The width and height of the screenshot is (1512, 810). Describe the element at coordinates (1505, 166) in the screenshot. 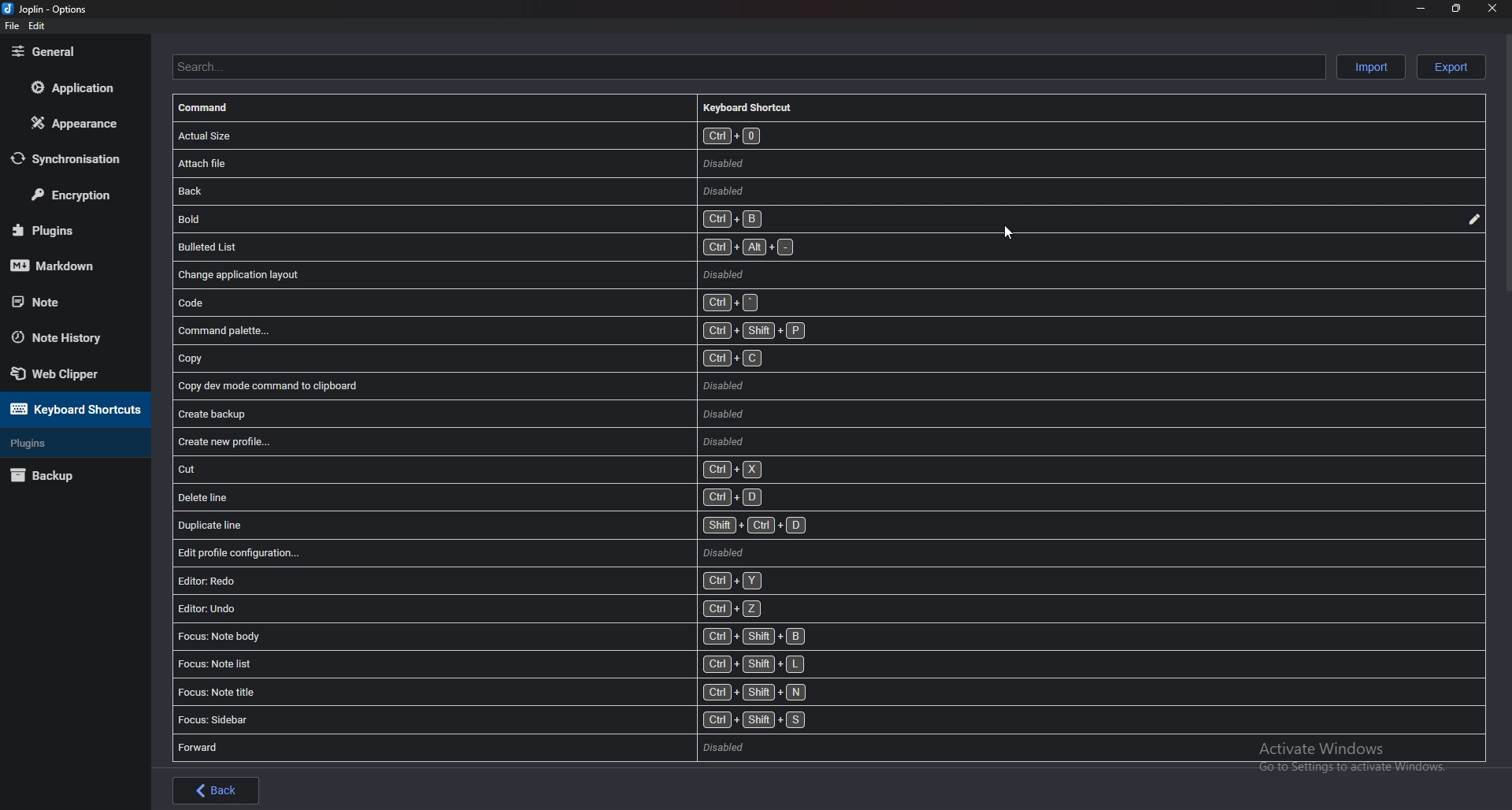

I see `Scroll bar` at that location.